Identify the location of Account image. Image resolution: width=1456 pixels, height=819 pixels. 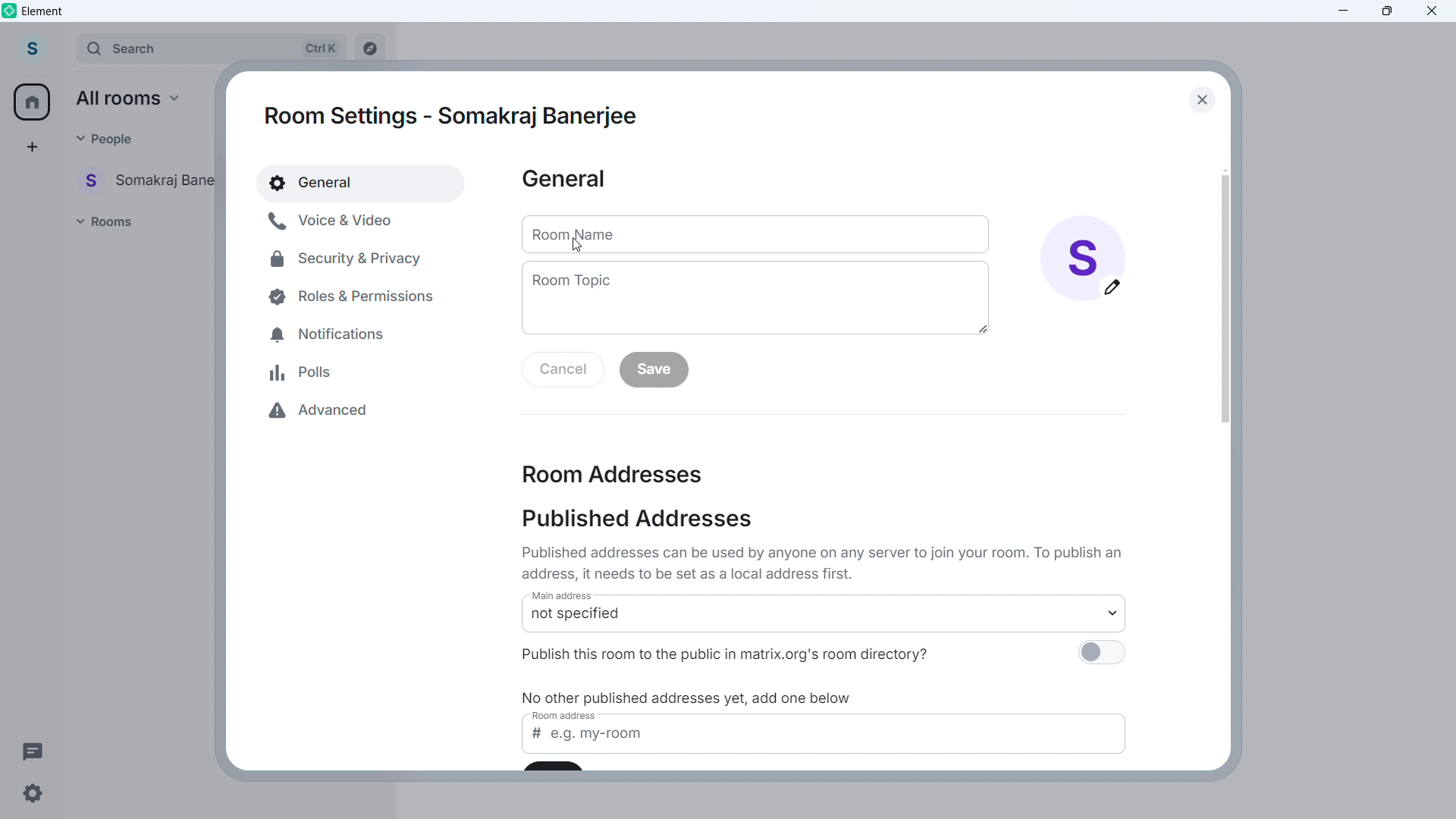
(1083, 258).